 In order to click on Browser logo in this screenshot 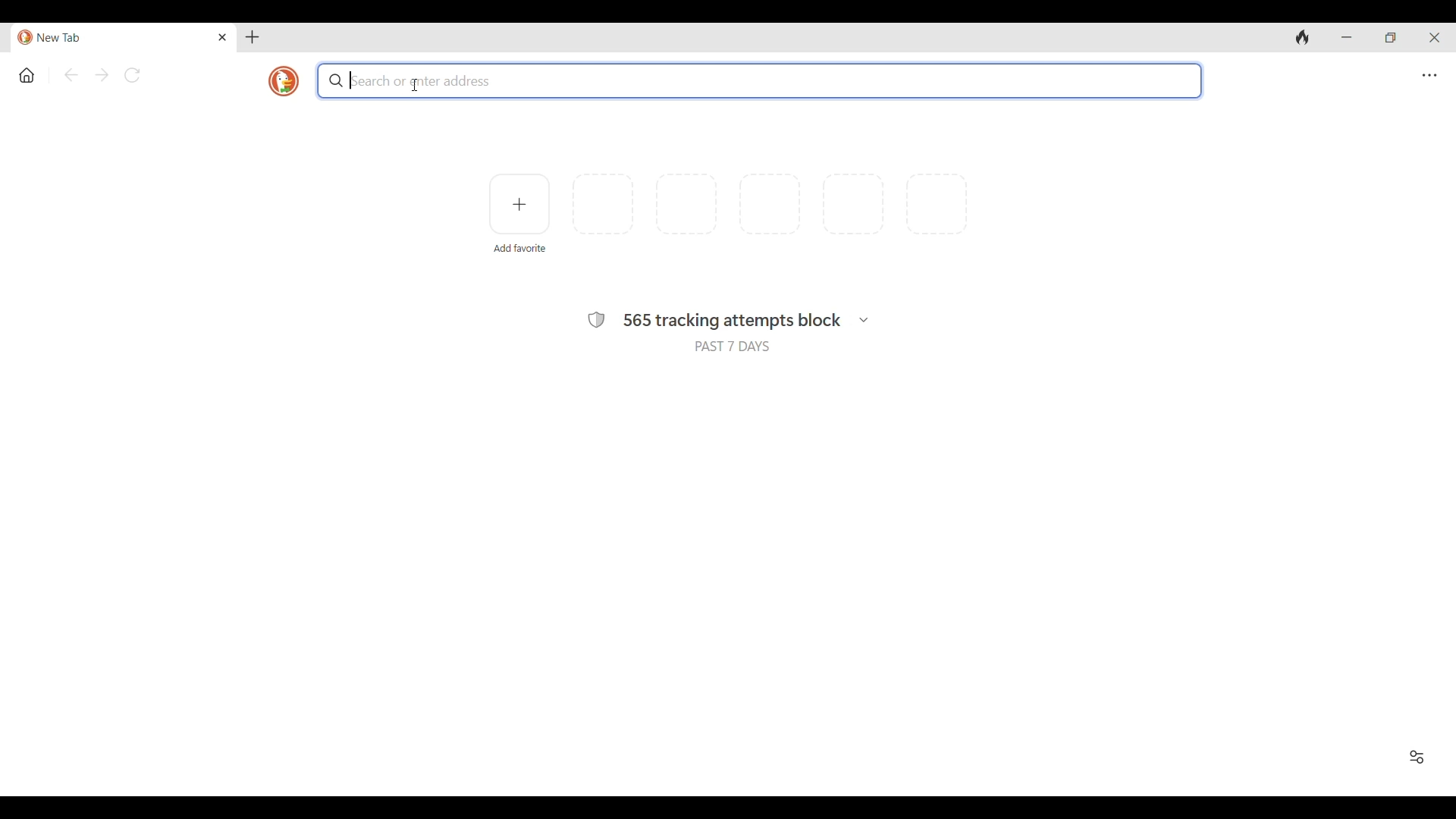, I will do `click(284, 81)`.